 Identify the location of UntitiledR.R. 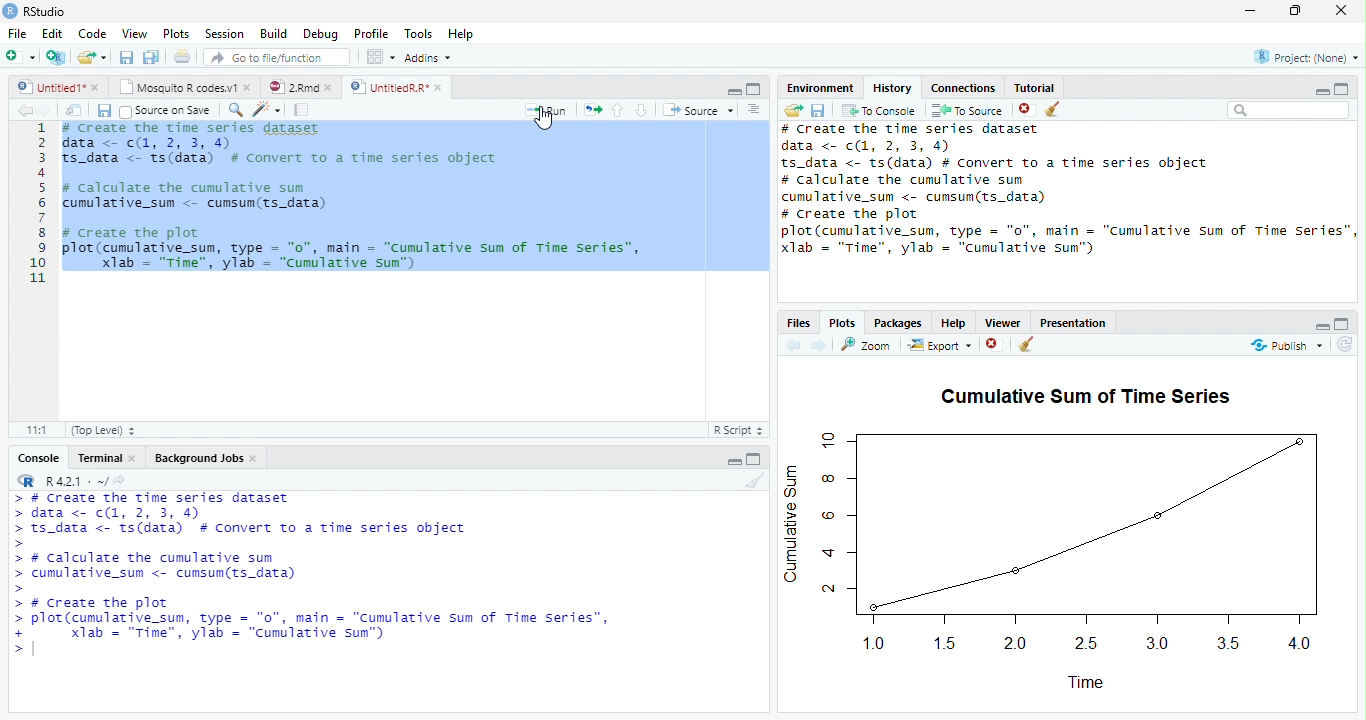
(400, 86).